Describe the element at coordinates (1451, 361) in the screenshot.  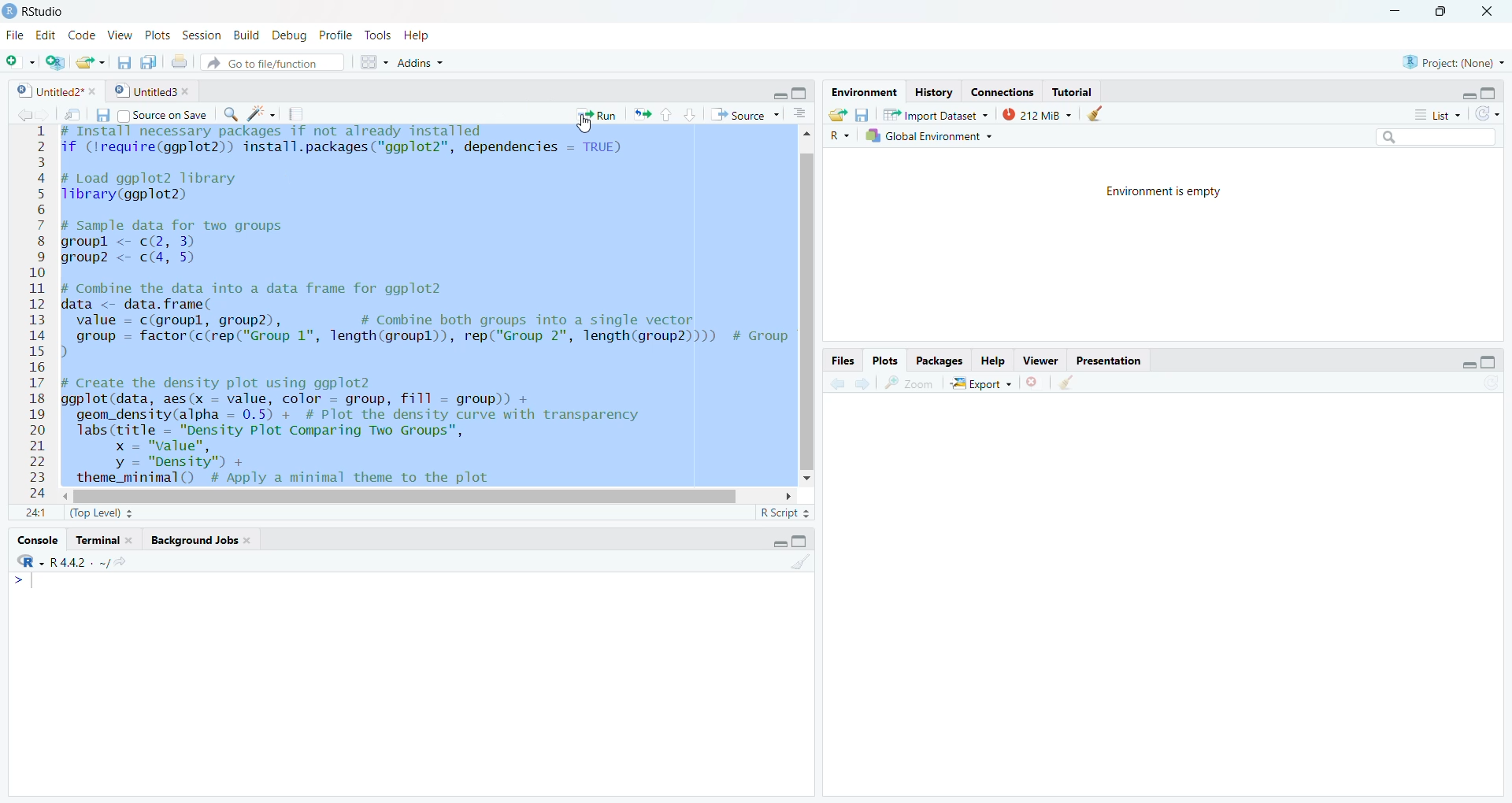
I see `minimize` at that location.